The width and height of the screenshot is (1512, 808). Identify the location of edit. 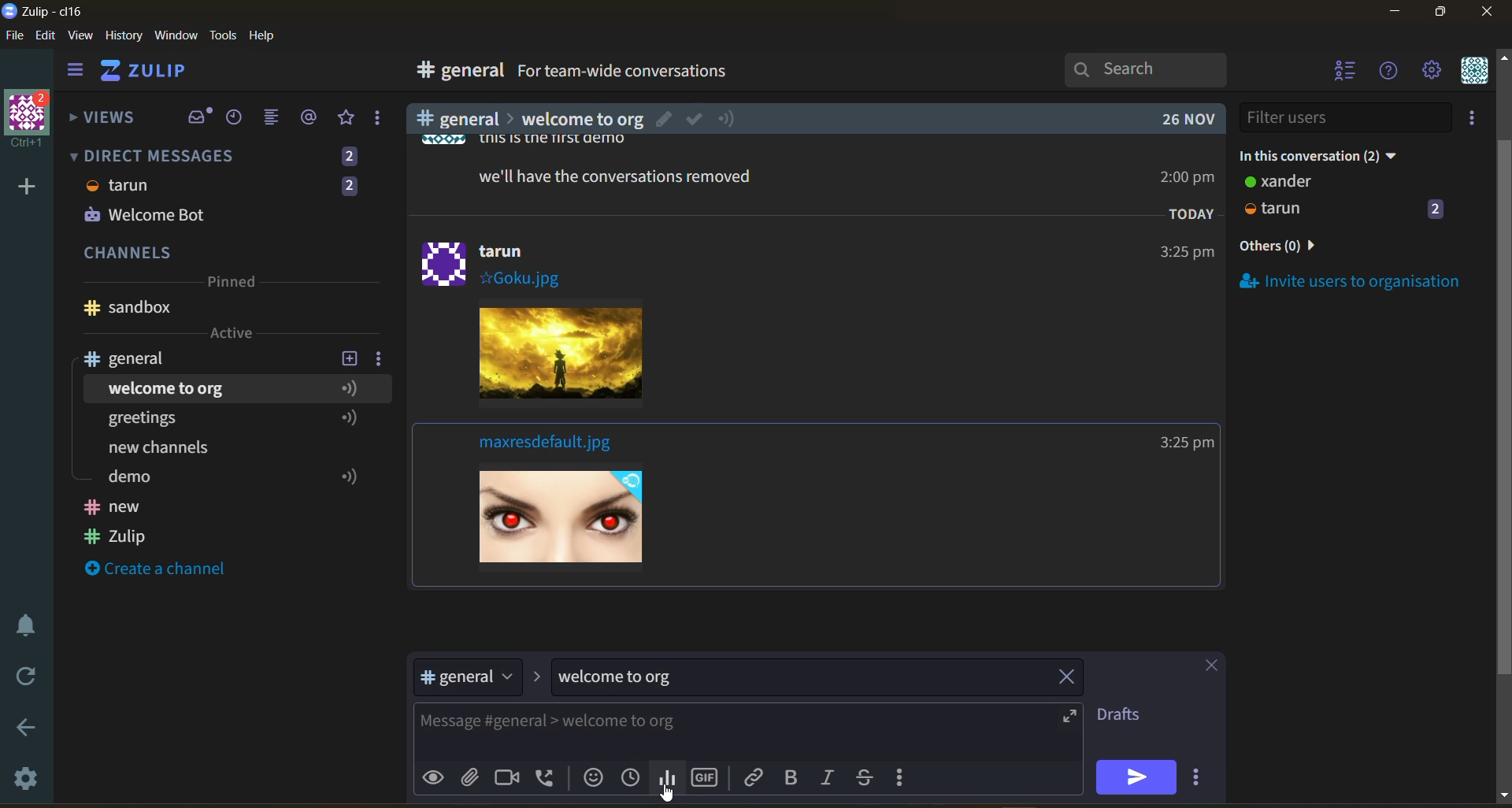
(46, 37).